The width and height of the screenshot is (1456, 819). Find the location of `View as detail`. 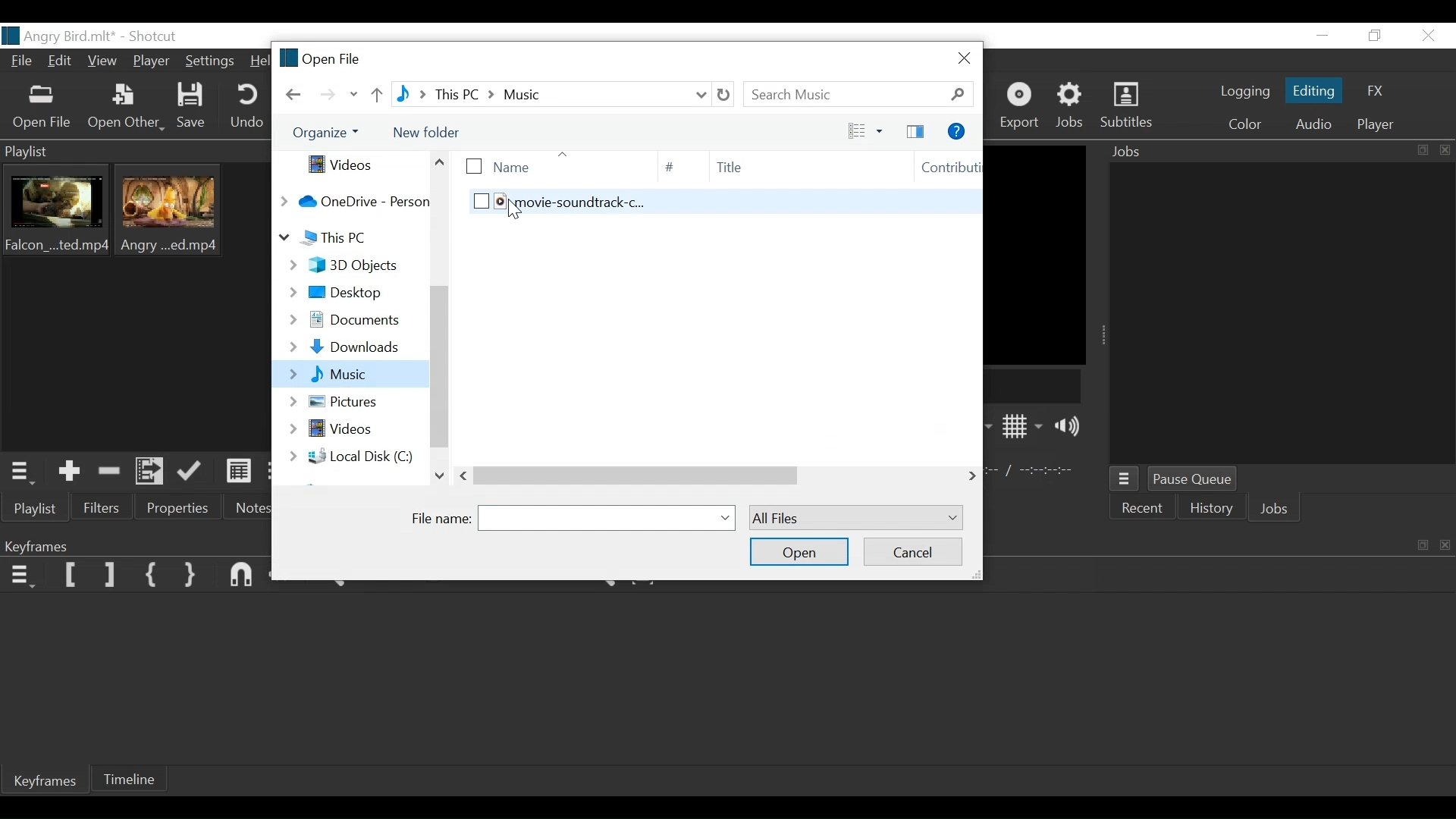

View as detail is located at coordinates (236, 474).